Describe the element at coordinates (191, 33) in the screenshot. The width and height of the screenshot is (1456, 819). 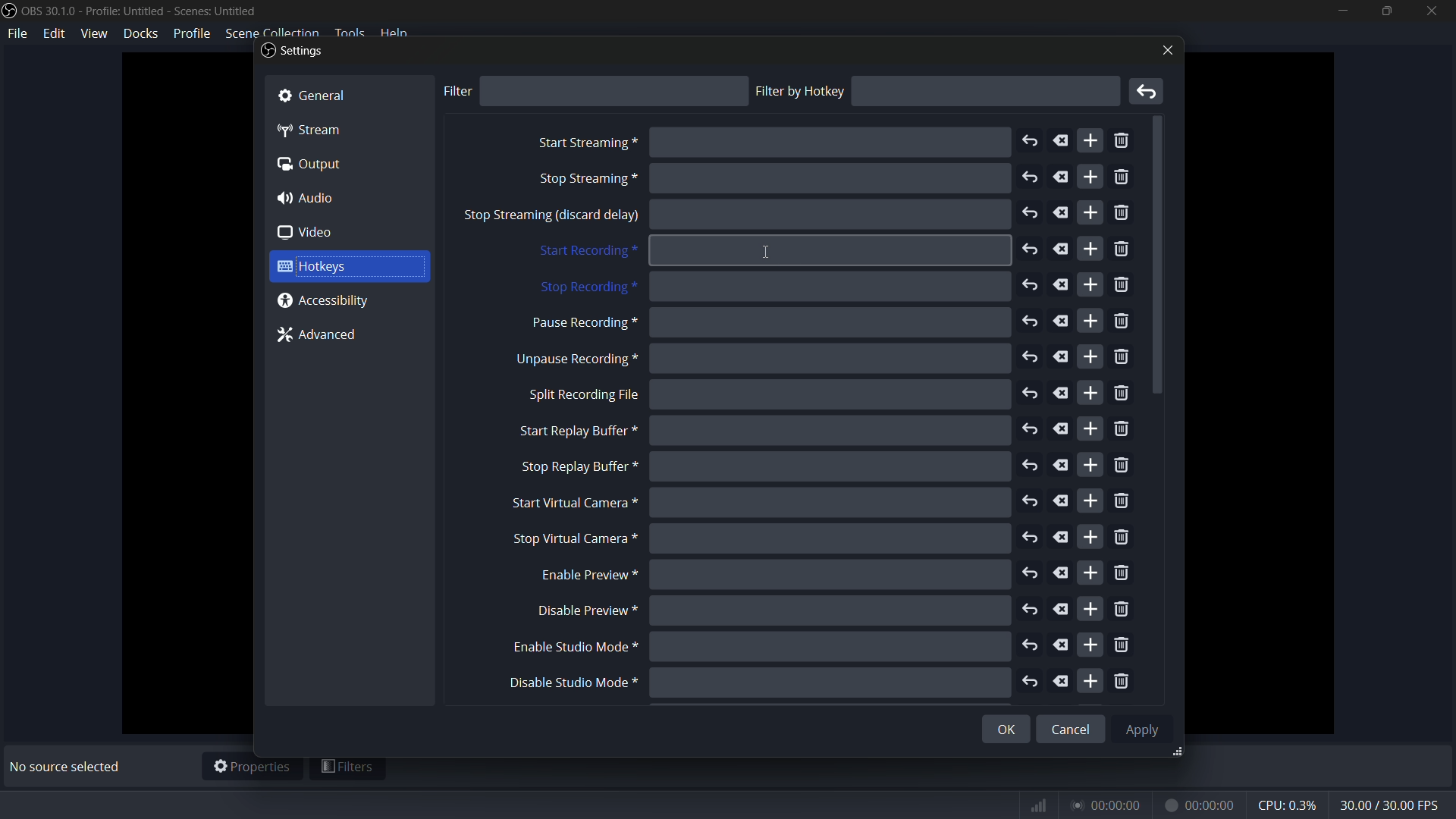
I see `profile menu` at that location.